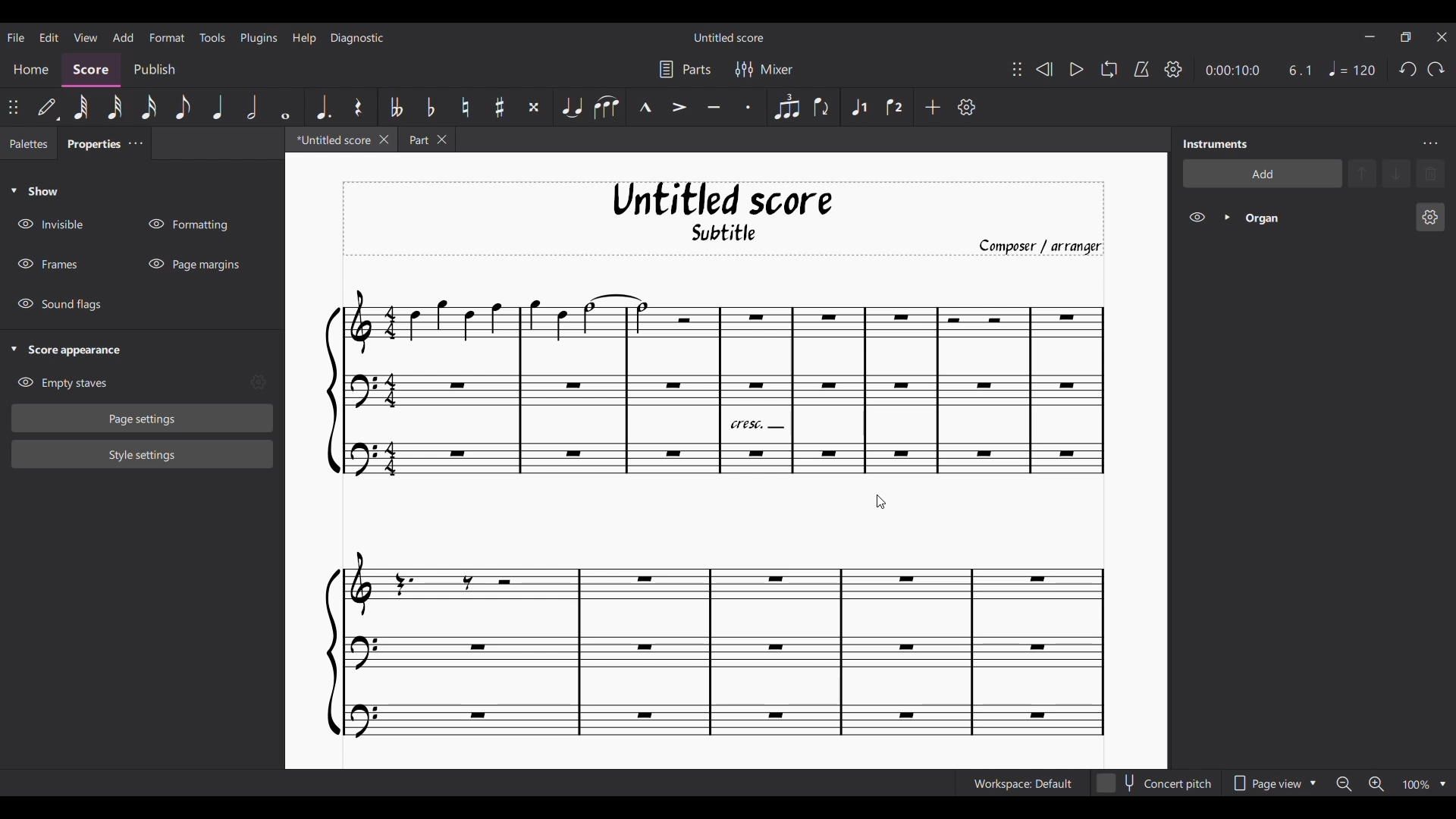 Image resolution: width=1456 pixels, height=819 pixels. What do you see at coordinates (1442, 785) in the screenshot?
I see `Zoom options` at bounding box center [1442, 785].